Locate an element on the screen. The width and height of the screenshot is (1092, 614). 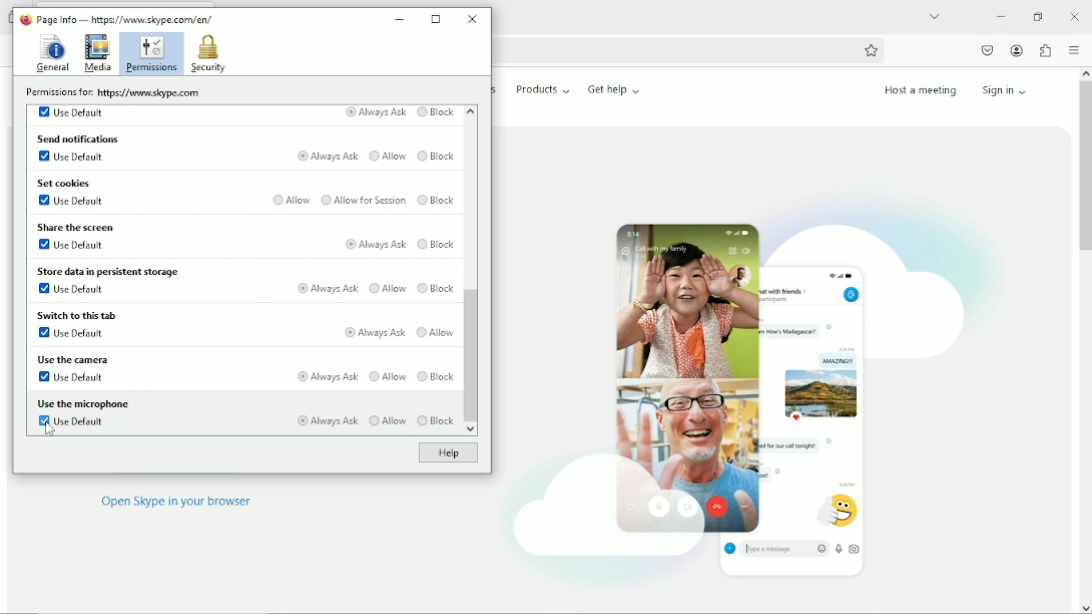
Use default is located at coordinates (74, 158).